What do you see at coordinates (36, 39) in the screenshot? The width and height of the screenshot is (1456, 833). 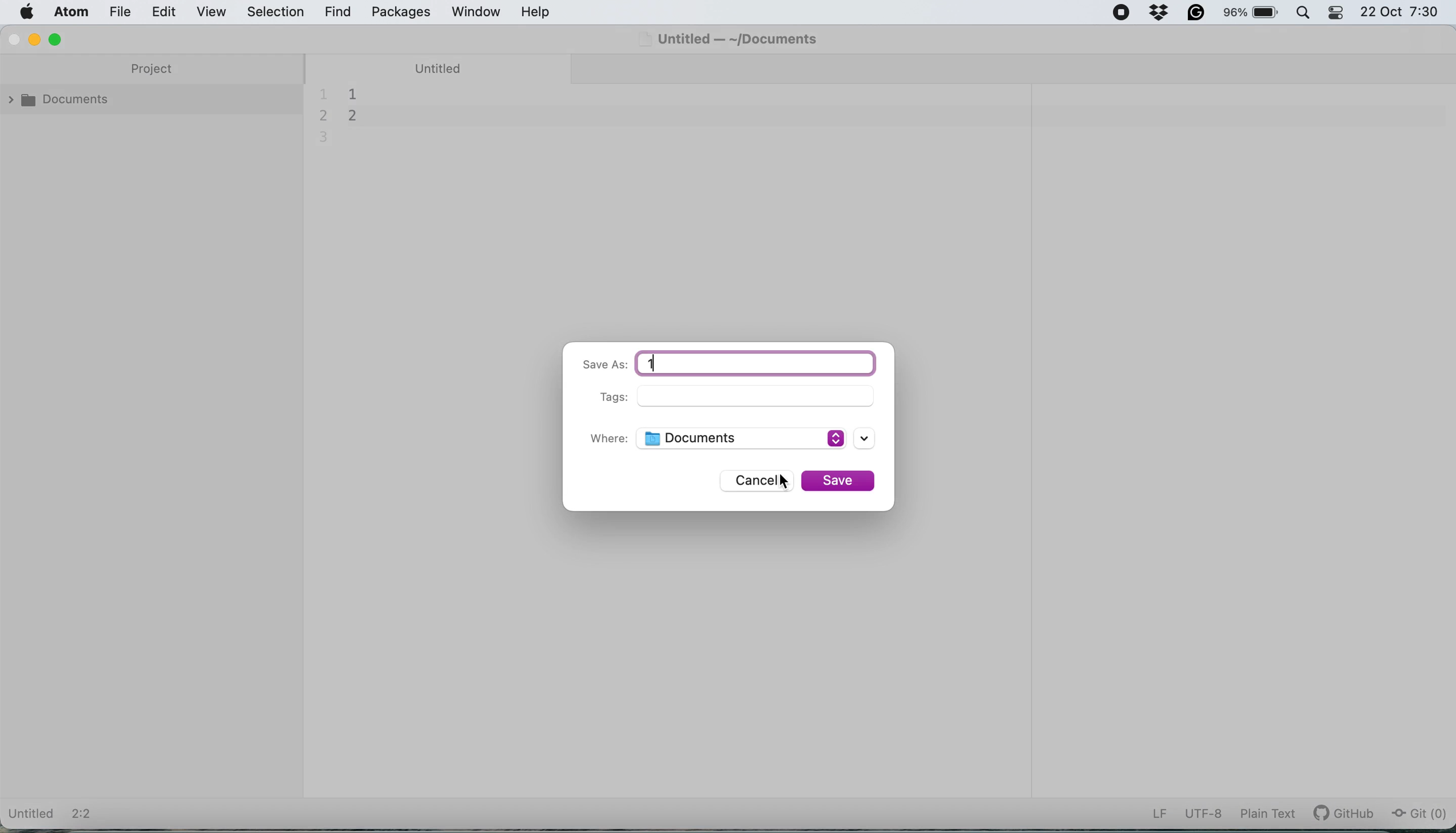 I see `minimise` at bounding box center [36, 39].